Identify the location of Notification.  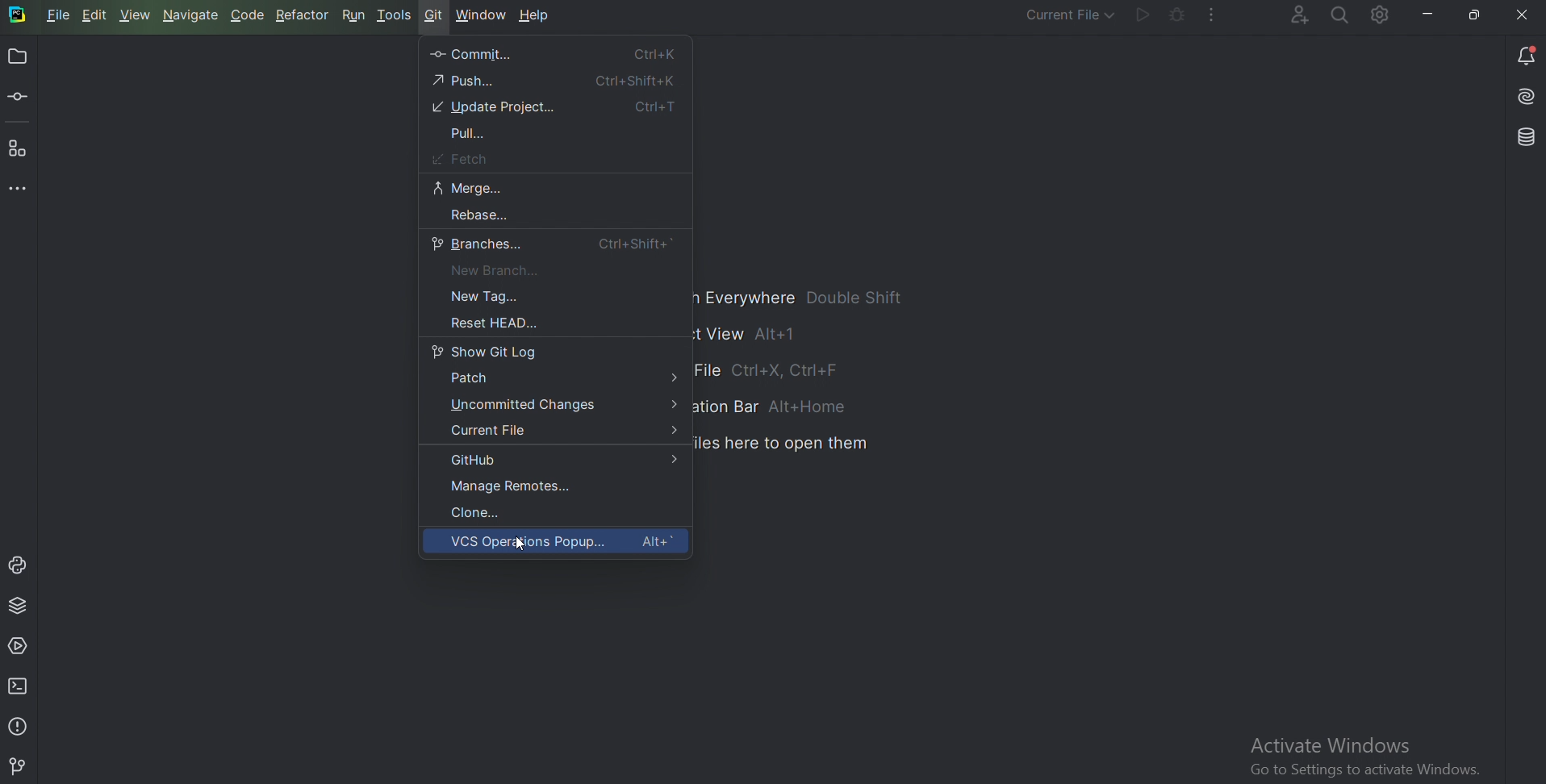
(1527, 55).